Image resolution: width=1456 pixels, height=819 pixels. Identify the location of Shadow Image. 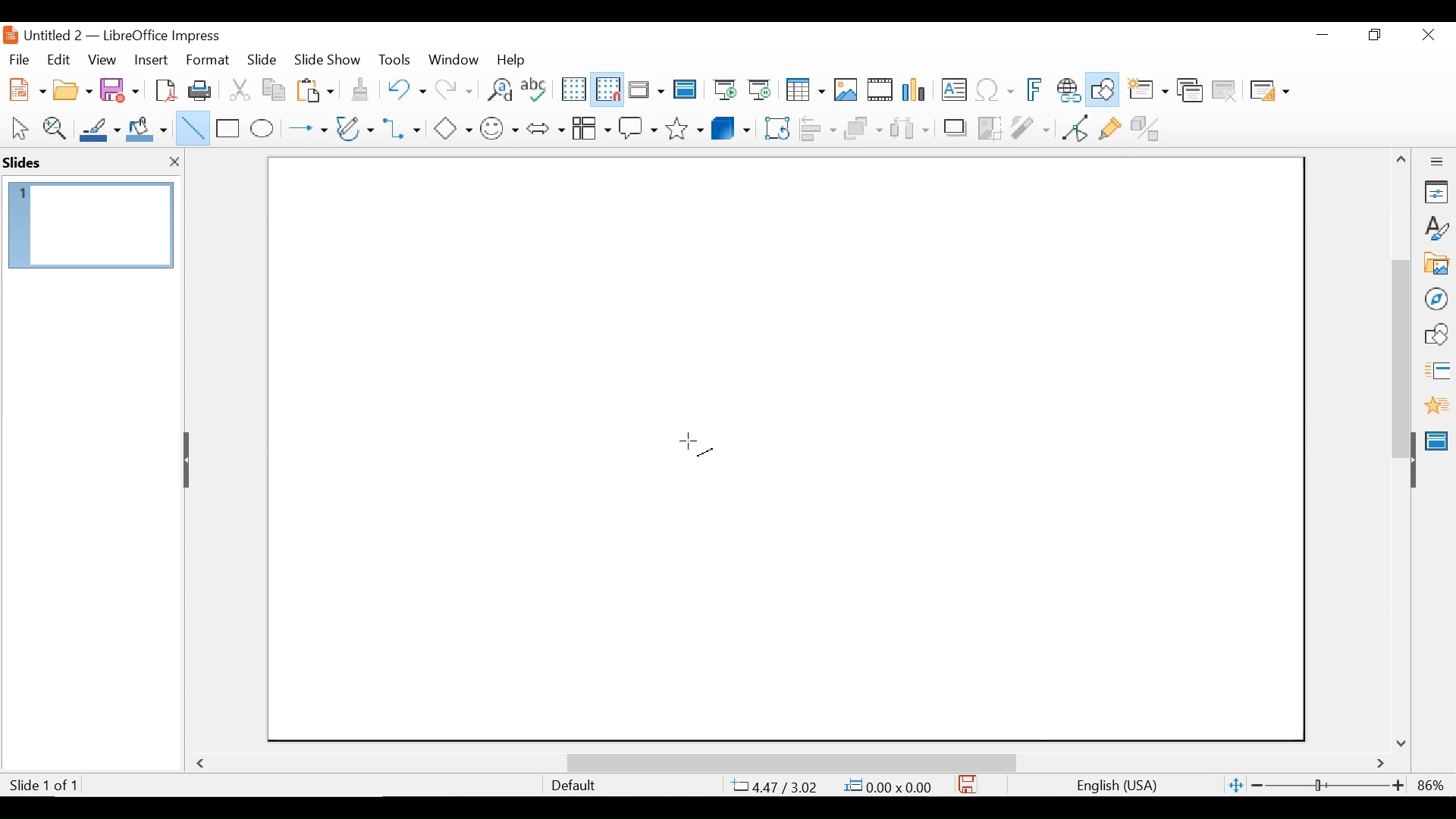
(956, 127).